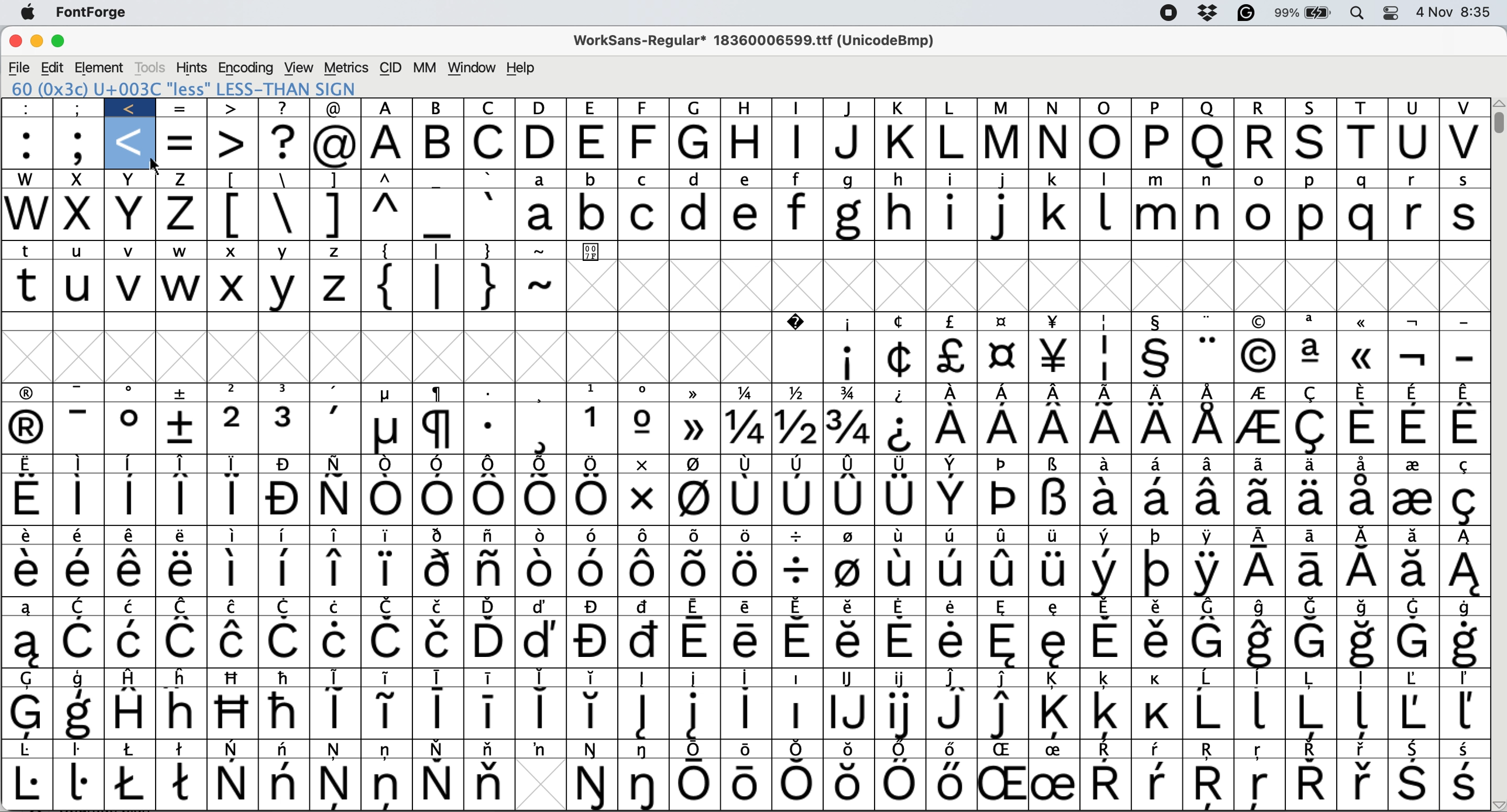 The width and height of the screenshot is (1507, 812). What do you see at coordinates (1312, 357) in the screenshot?
I see `Symbol` at bounding box center [1312, 357].